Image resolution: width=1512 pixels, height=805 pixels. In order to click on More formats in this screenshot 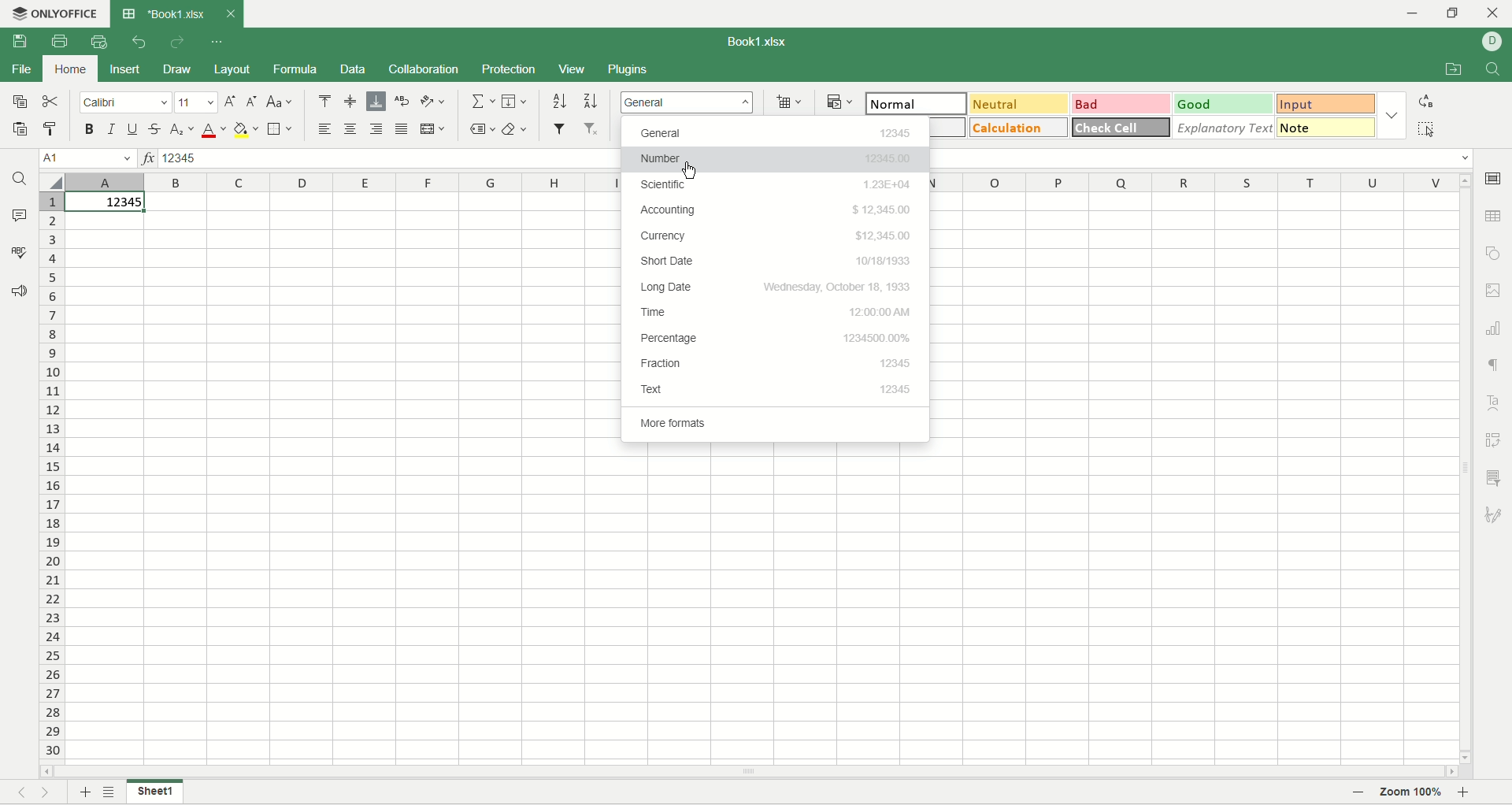, I will do `click(702, 421)`.